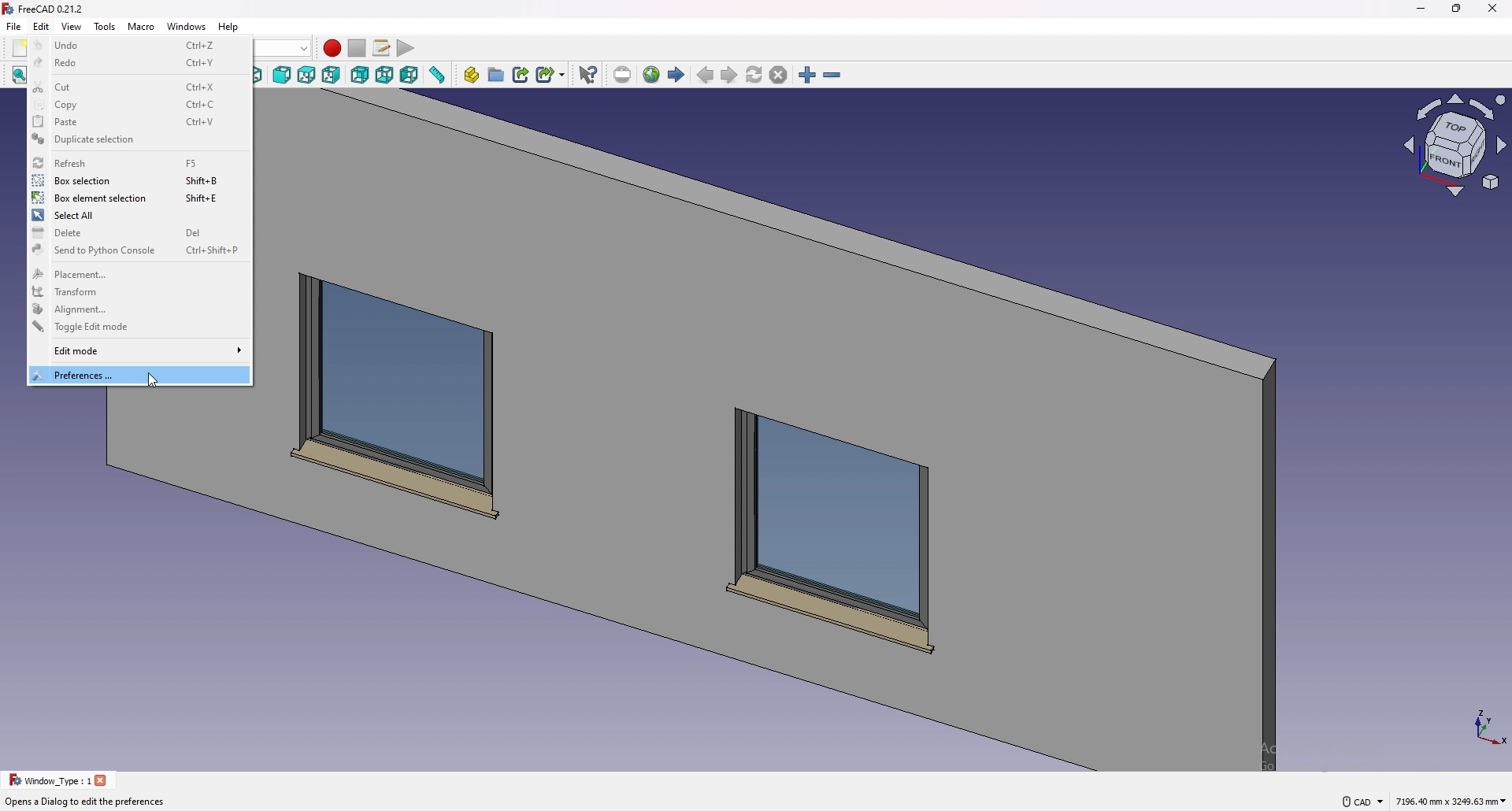  I want to click on previous page, so click(706, 76).